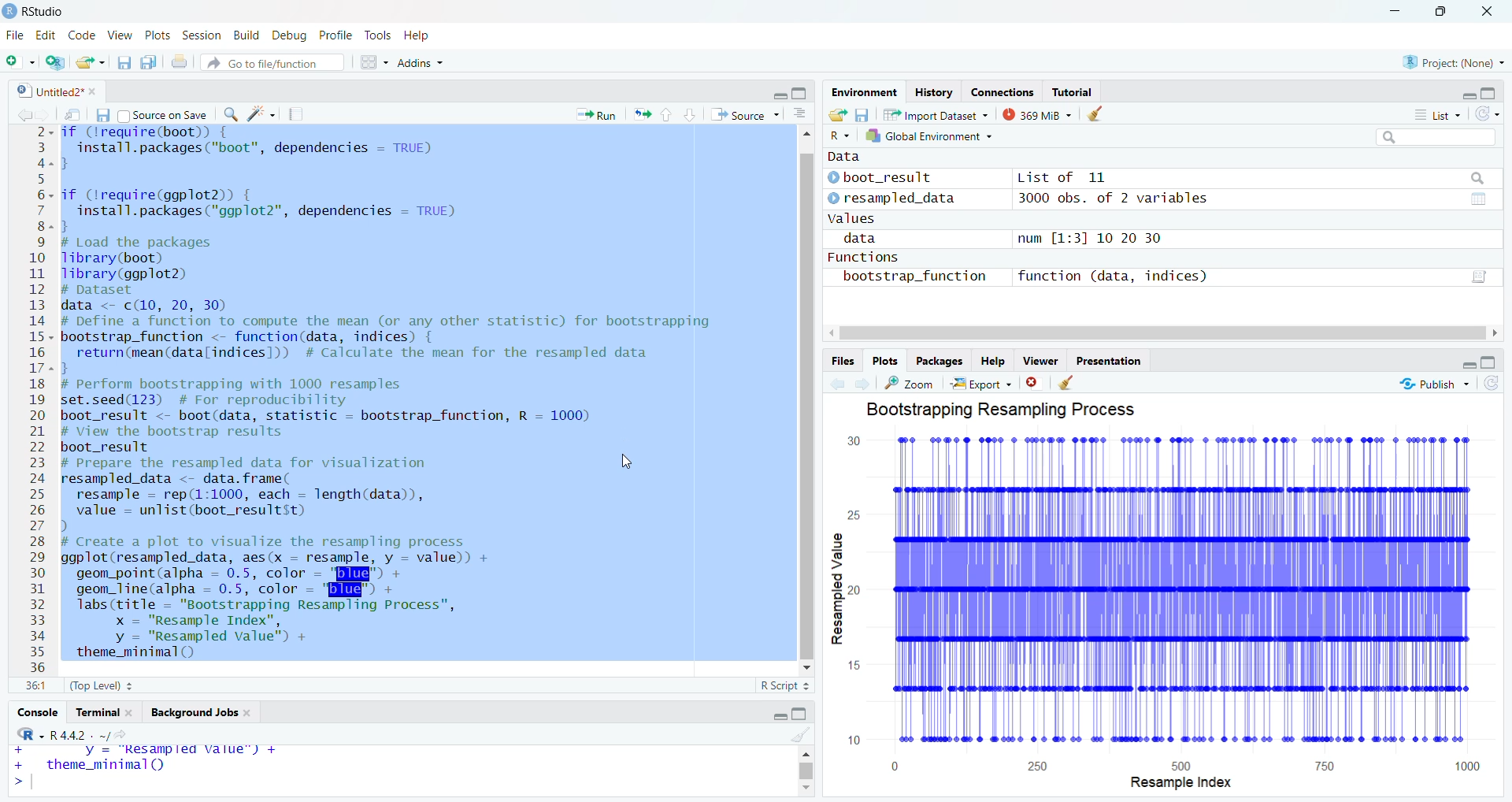 The image size is (1512, 802). What do you see at coordinates (865, 257) in the screenshot?
I see `Functions` at bounding box center [865, 257].